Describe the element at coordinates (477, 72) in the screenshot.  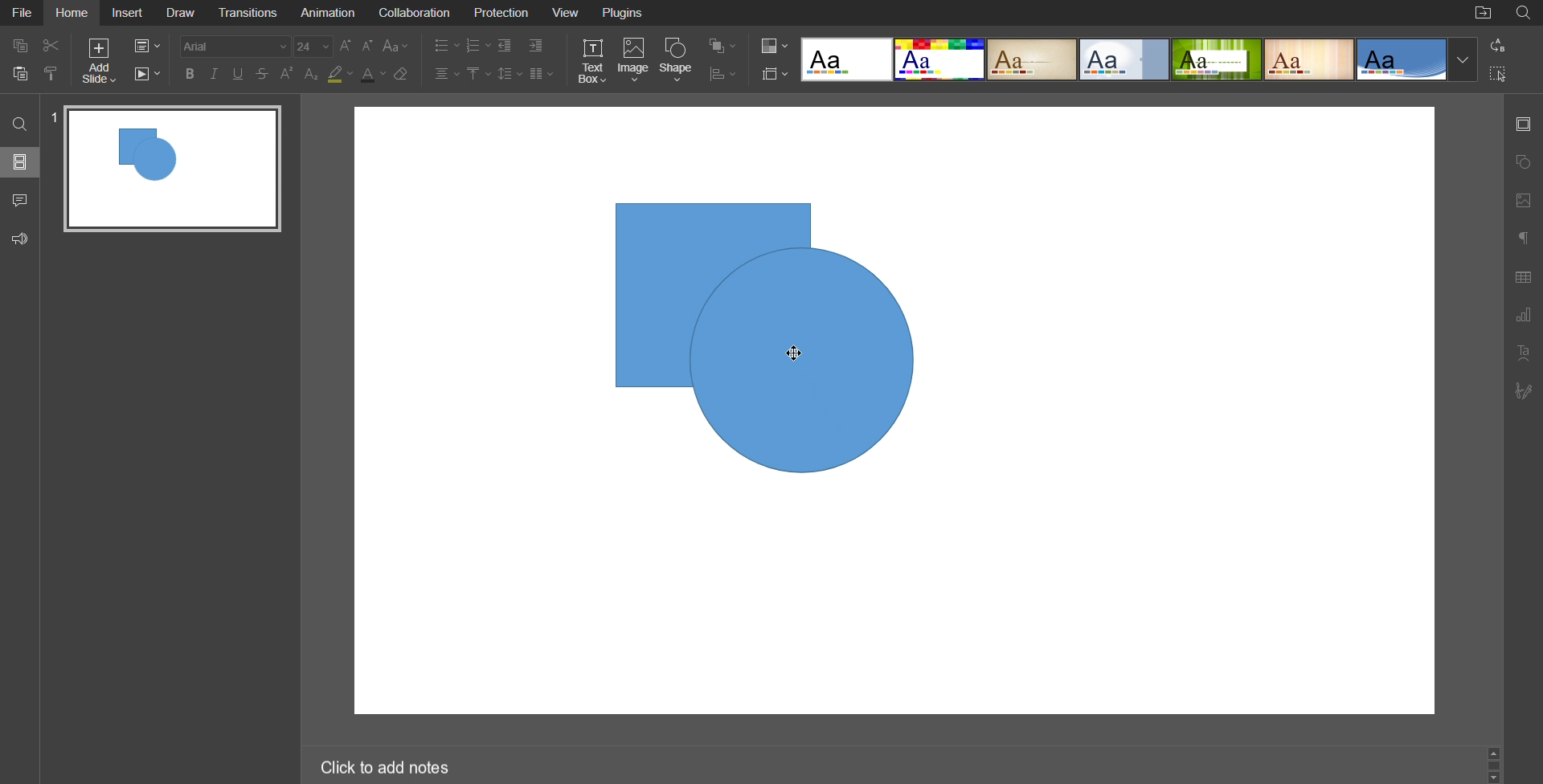
I see `Vertical Align` at that location.